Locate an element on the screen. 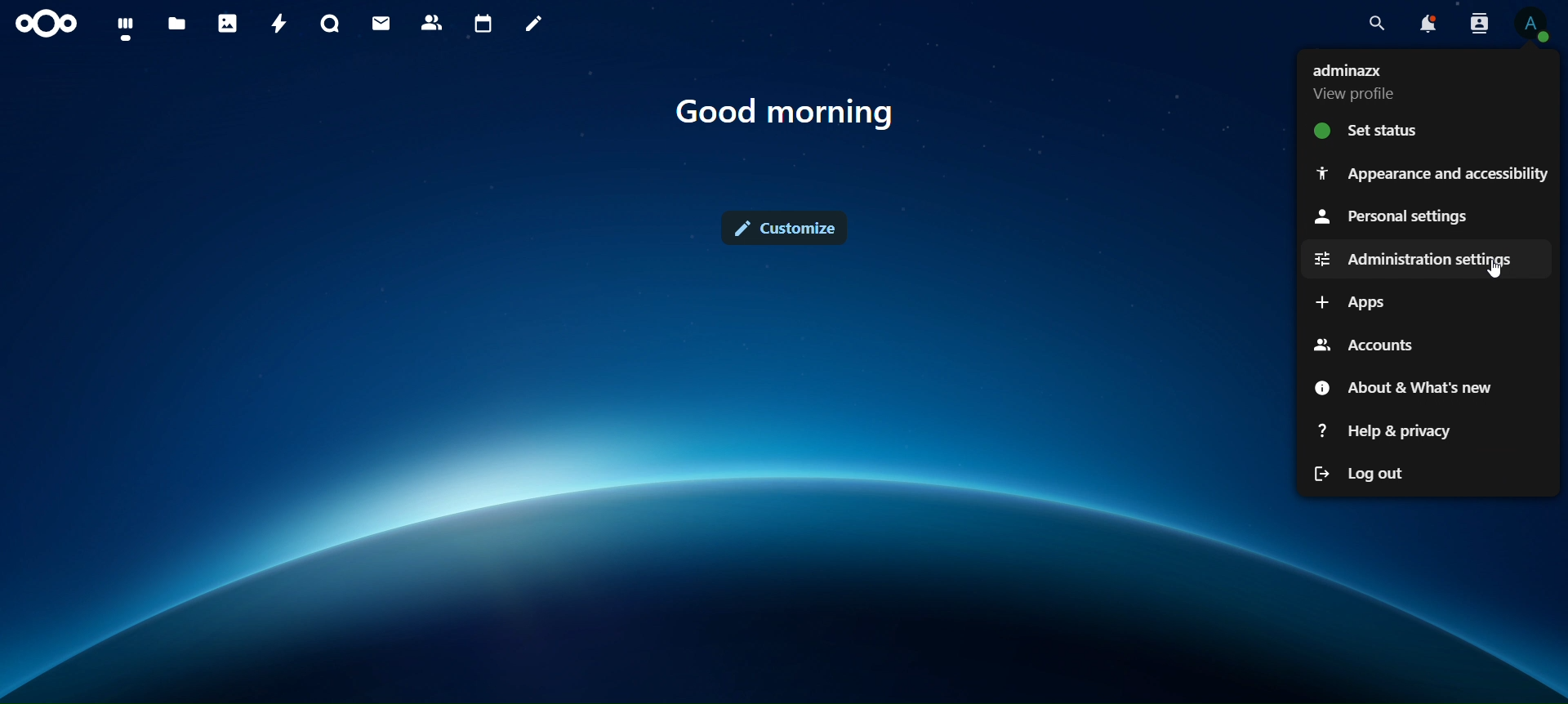  cursor is located at coordinates (1497, 273).